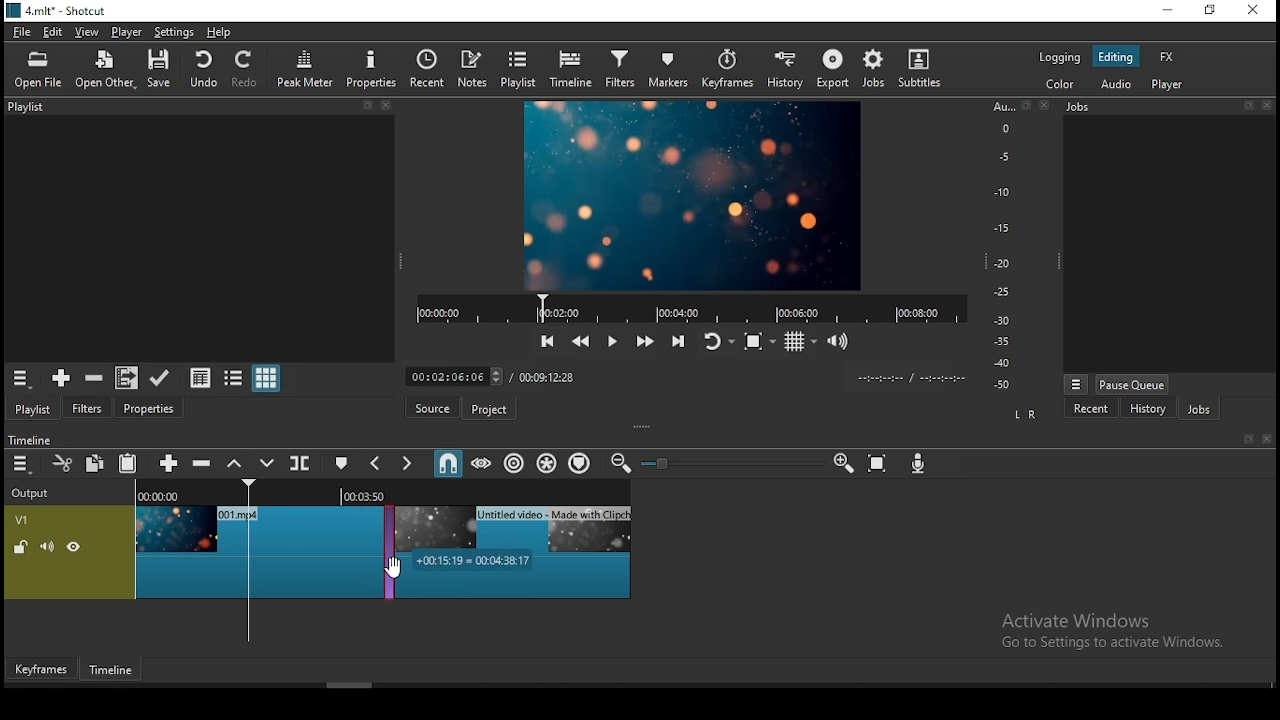  What do you see at coordinates (447, 464) in the screenshot?
I see `snap` at bounding box center [447, 464].